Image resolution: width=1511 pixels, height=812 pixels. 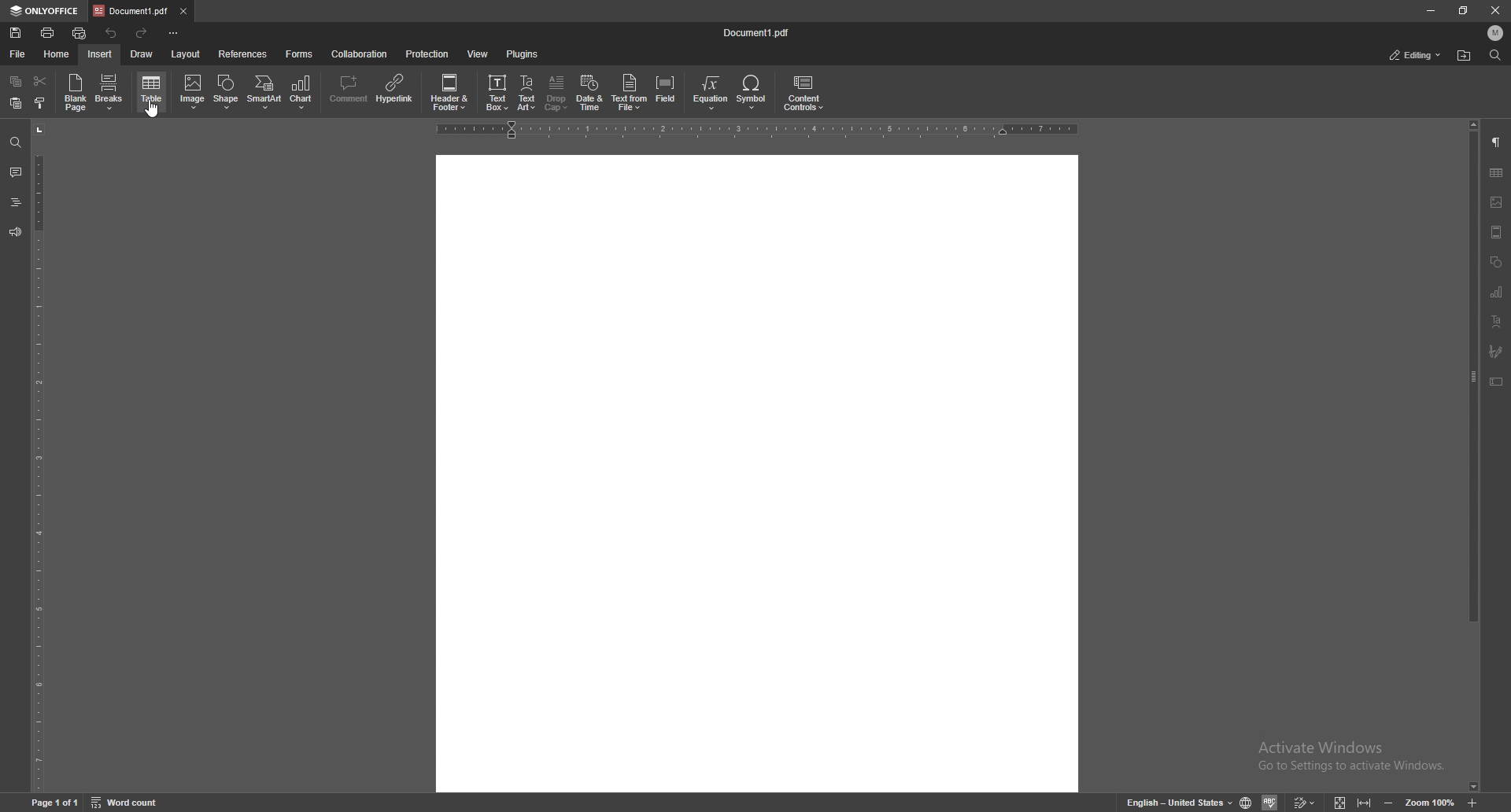 I want to click on paragraph, so click(x=1498, y=141).